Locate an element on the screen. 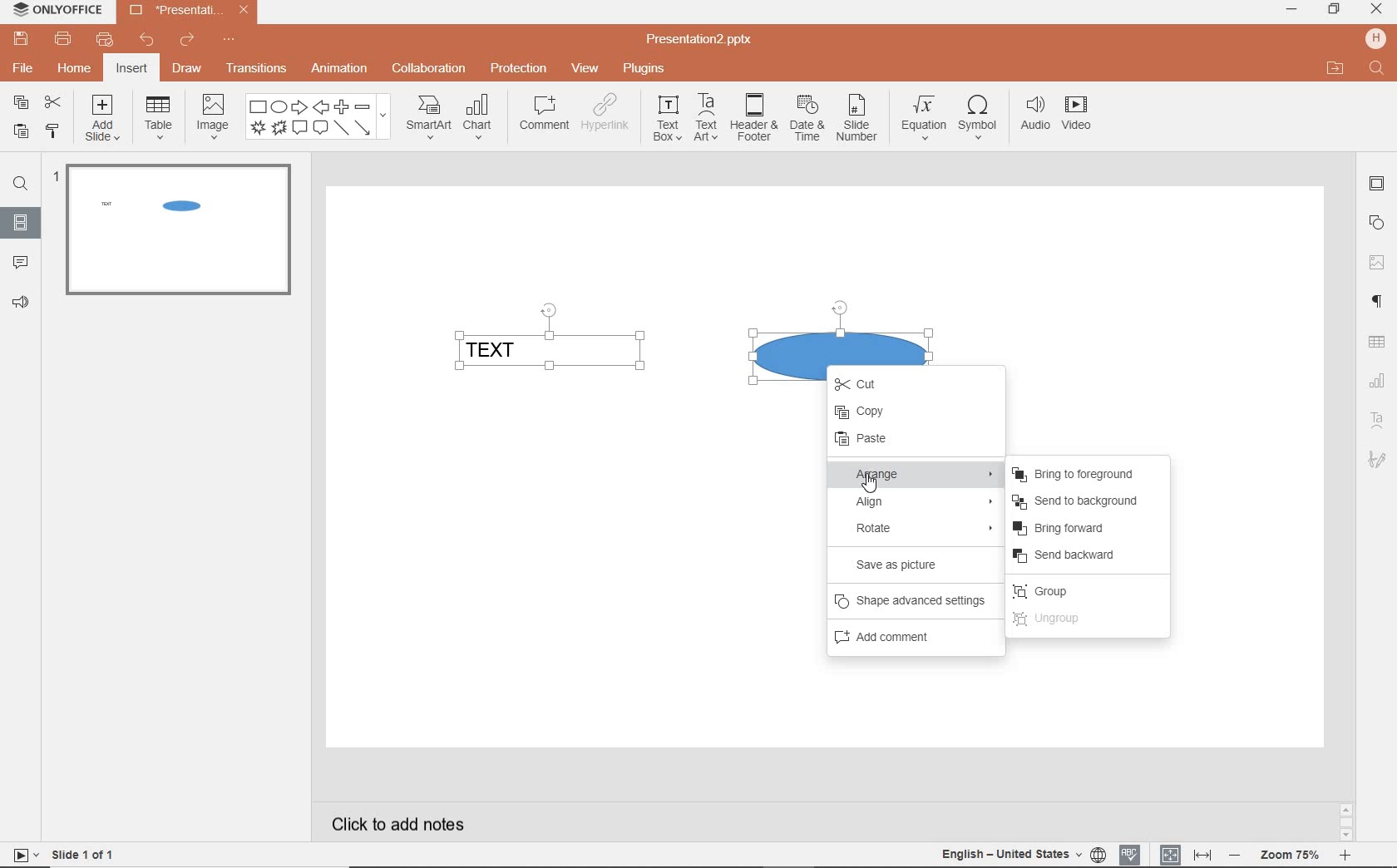 The image size is (1397, 868). hyperlink is located at coordinates (606, 114).